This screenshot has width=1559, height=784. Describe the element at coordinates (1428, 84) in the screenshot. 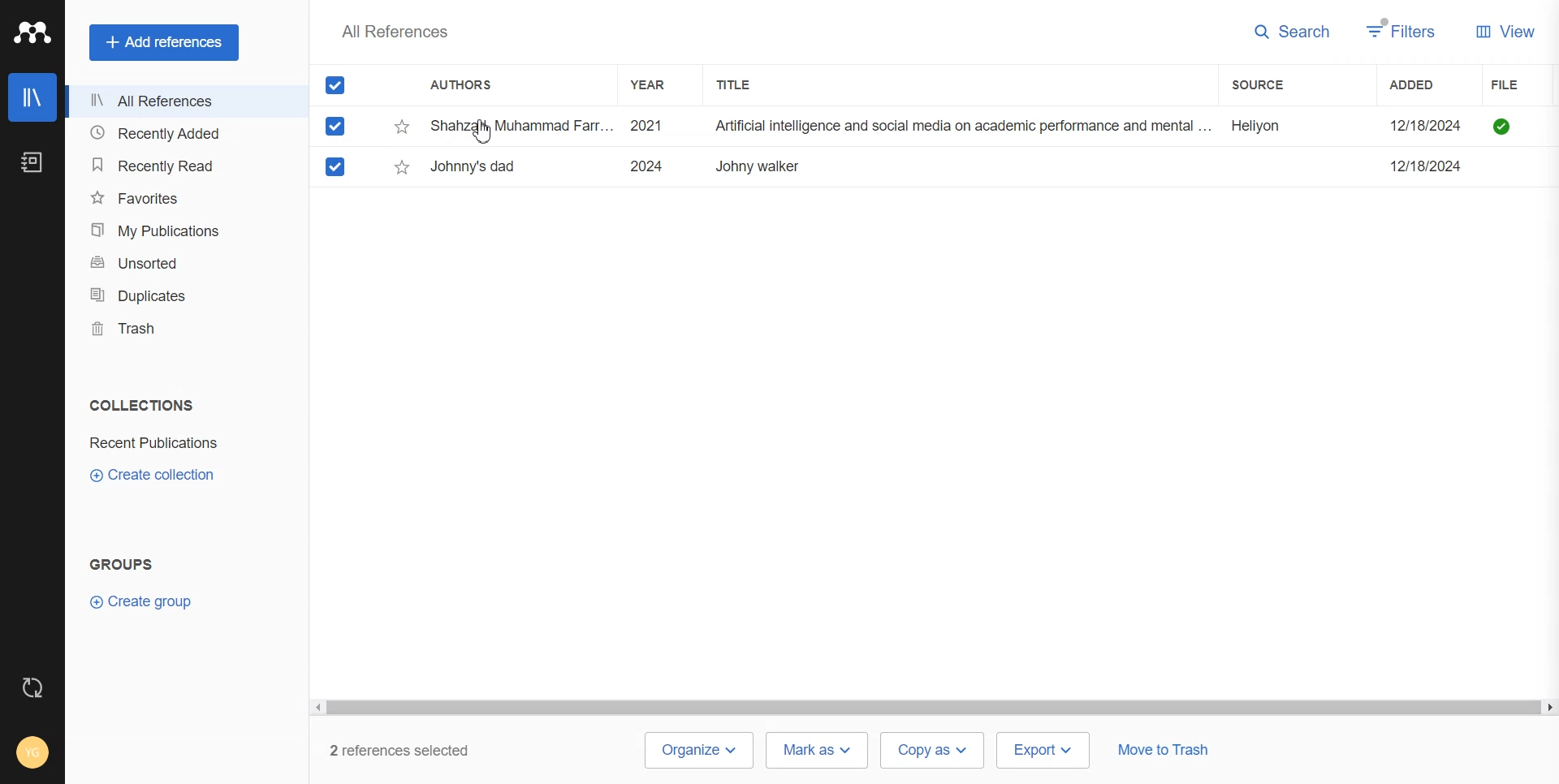

I see `Added` at that location.